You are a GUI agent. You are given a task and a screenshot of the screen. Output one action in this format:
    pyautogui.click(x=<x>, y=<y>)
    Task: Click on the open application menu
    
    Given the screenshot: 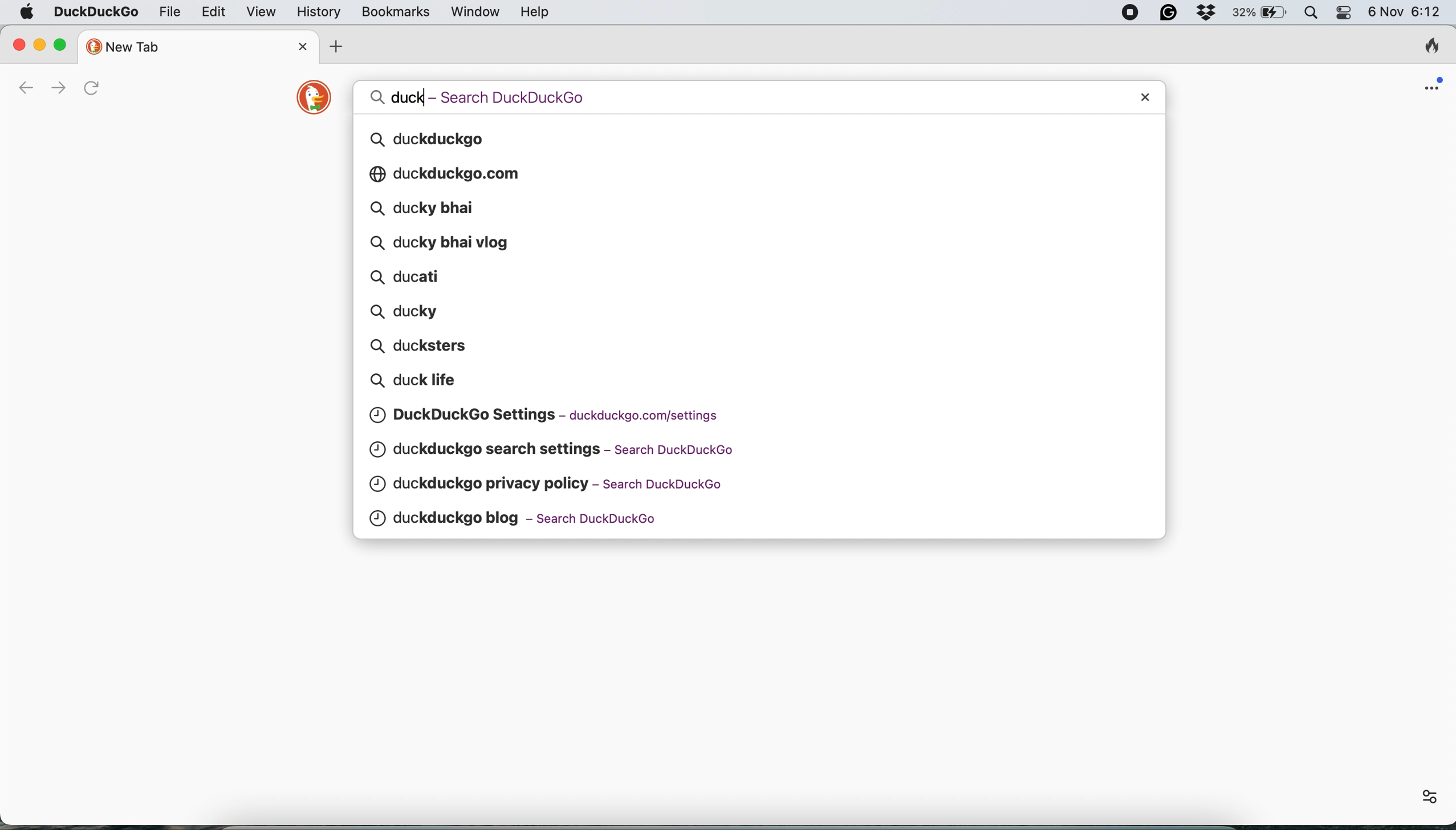 What is the action you would take?
    pyautogui.click(x=1434, y=83)
    